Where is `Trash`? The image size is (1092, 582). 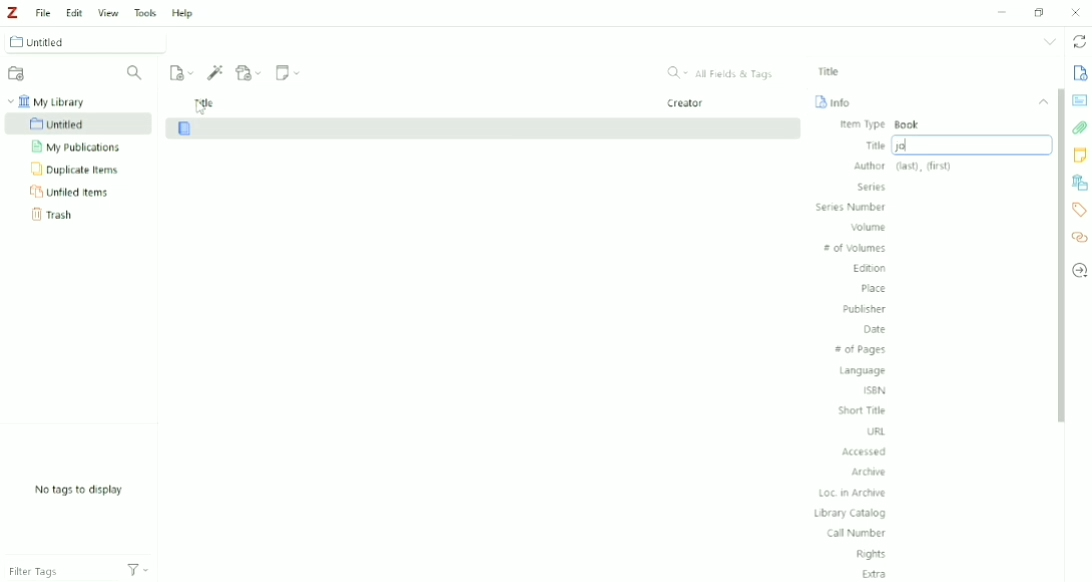 Trash is located at coordinates (61, 214).